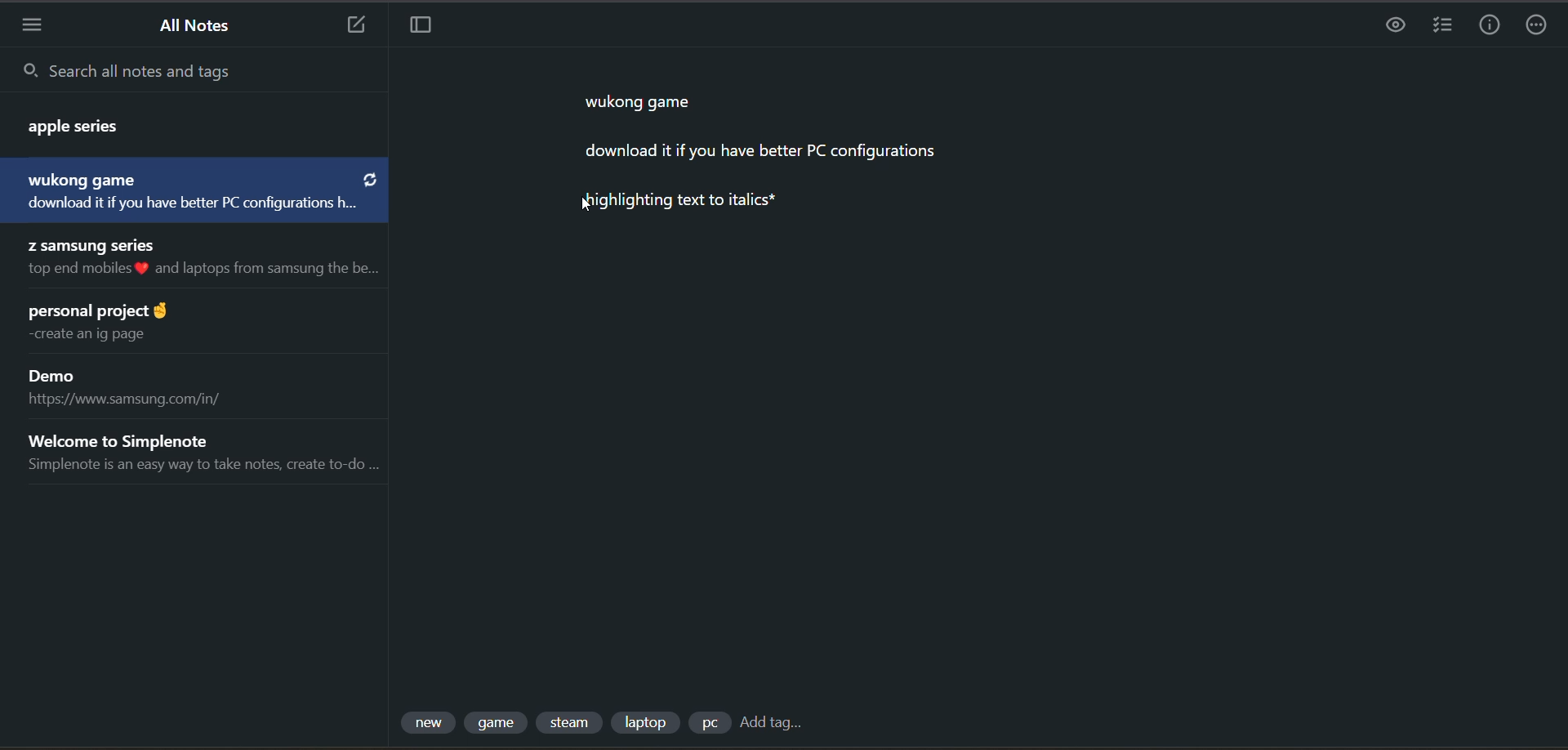 Image resolution: width=1568 pixels, height=750 pixels. What do you see at coordinates (1399, 26) in the screenshot?
I see `task preview` at bounding box center [1399, 26].